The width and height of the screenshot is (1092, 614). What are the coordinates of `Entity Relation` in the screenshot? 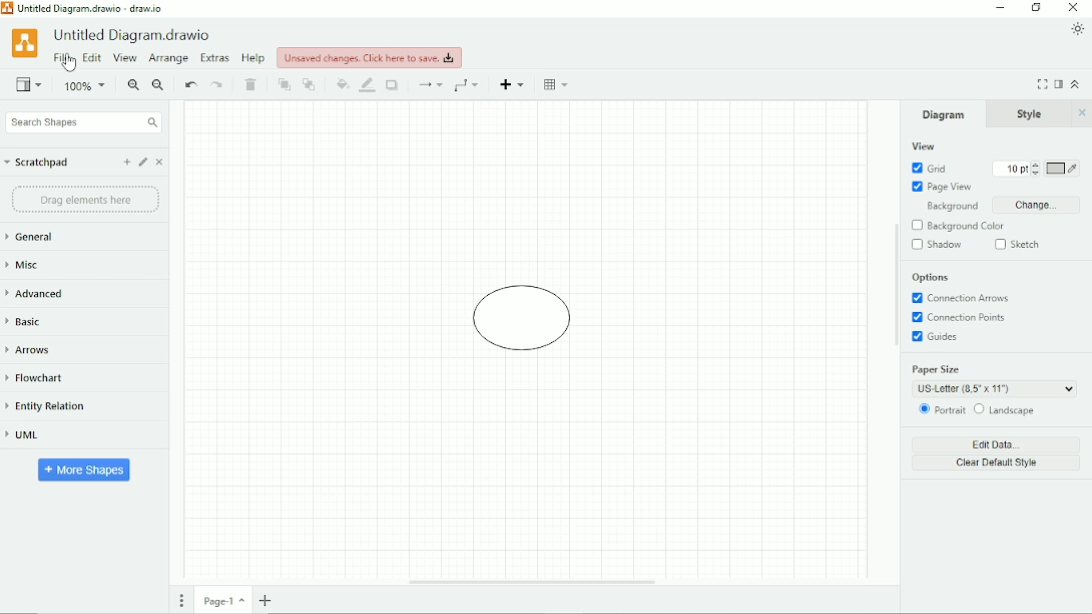 It's located at (46, 406).